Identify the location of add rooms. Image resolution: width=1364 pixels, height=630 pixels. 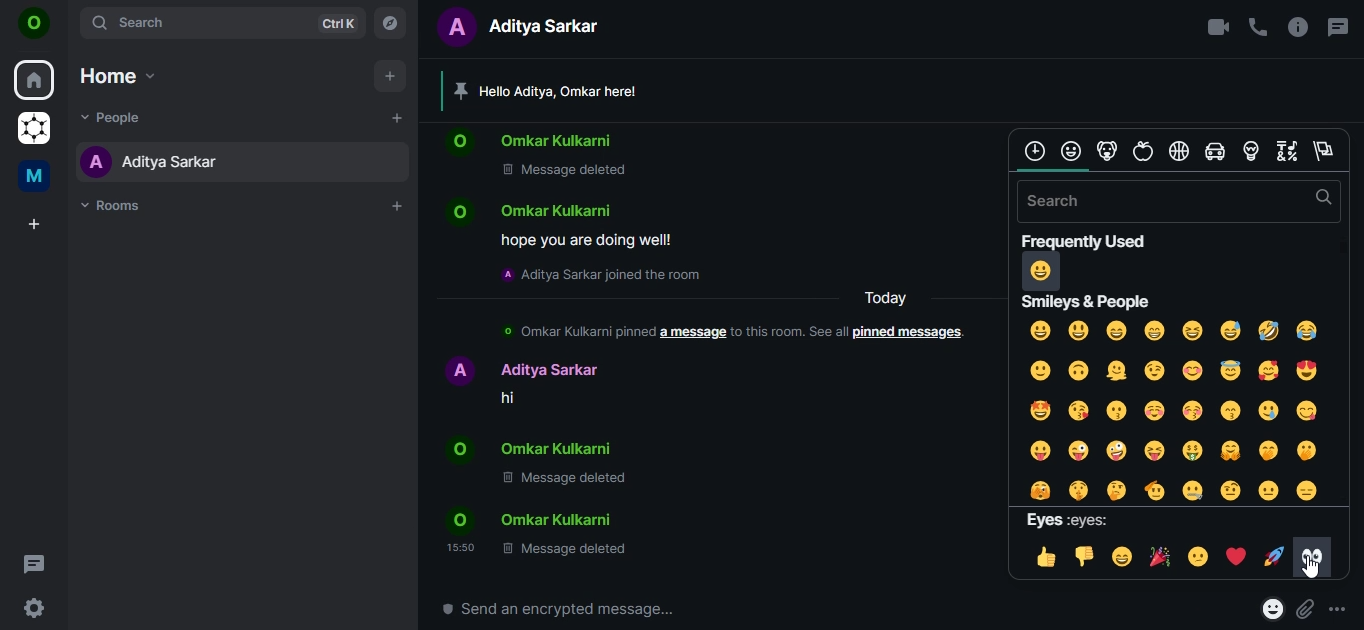
(398, 206).